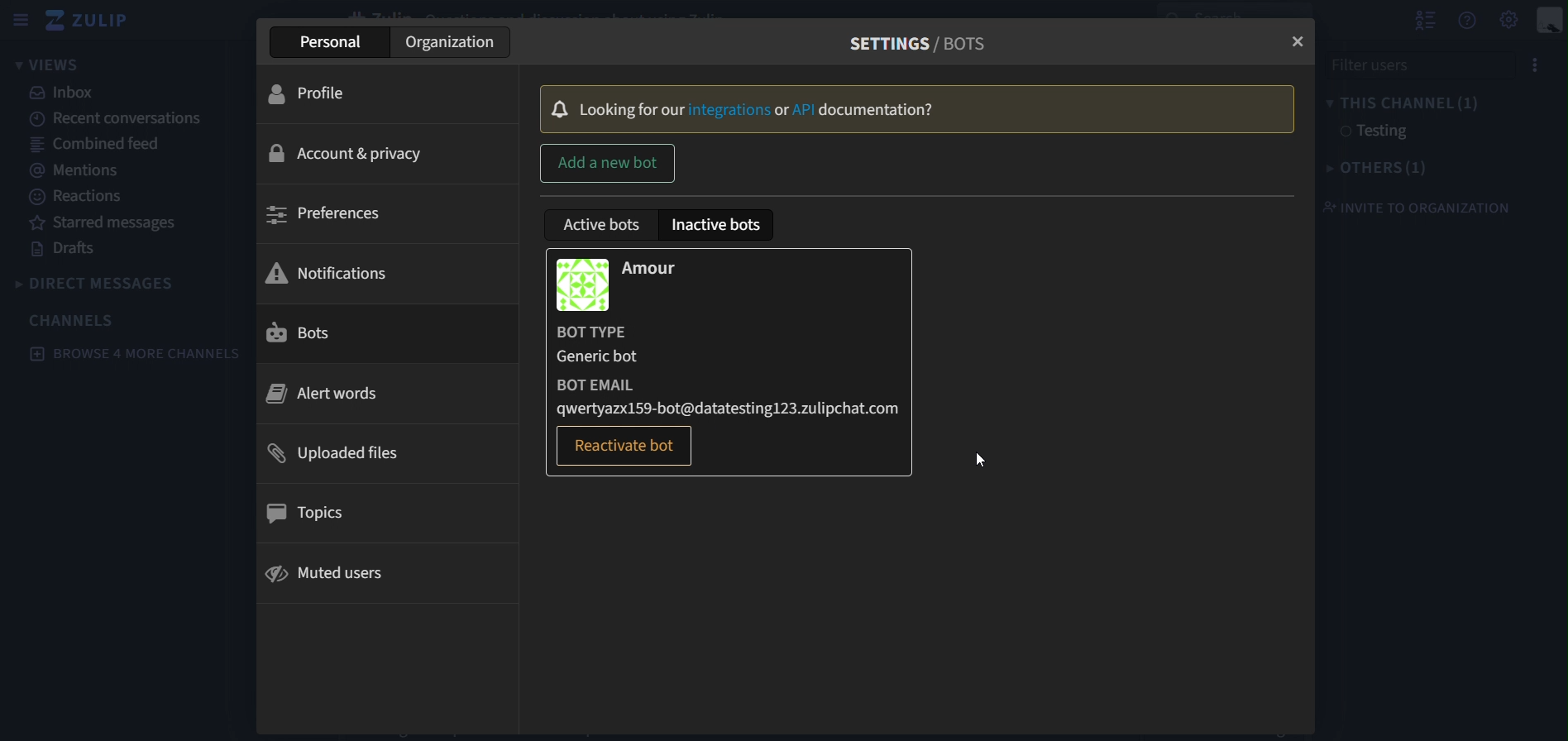 This screenshot has width=1568, height=741. Describe the element at coordinates (1405, 64) in the screenshot. I see `filter users` at that location.